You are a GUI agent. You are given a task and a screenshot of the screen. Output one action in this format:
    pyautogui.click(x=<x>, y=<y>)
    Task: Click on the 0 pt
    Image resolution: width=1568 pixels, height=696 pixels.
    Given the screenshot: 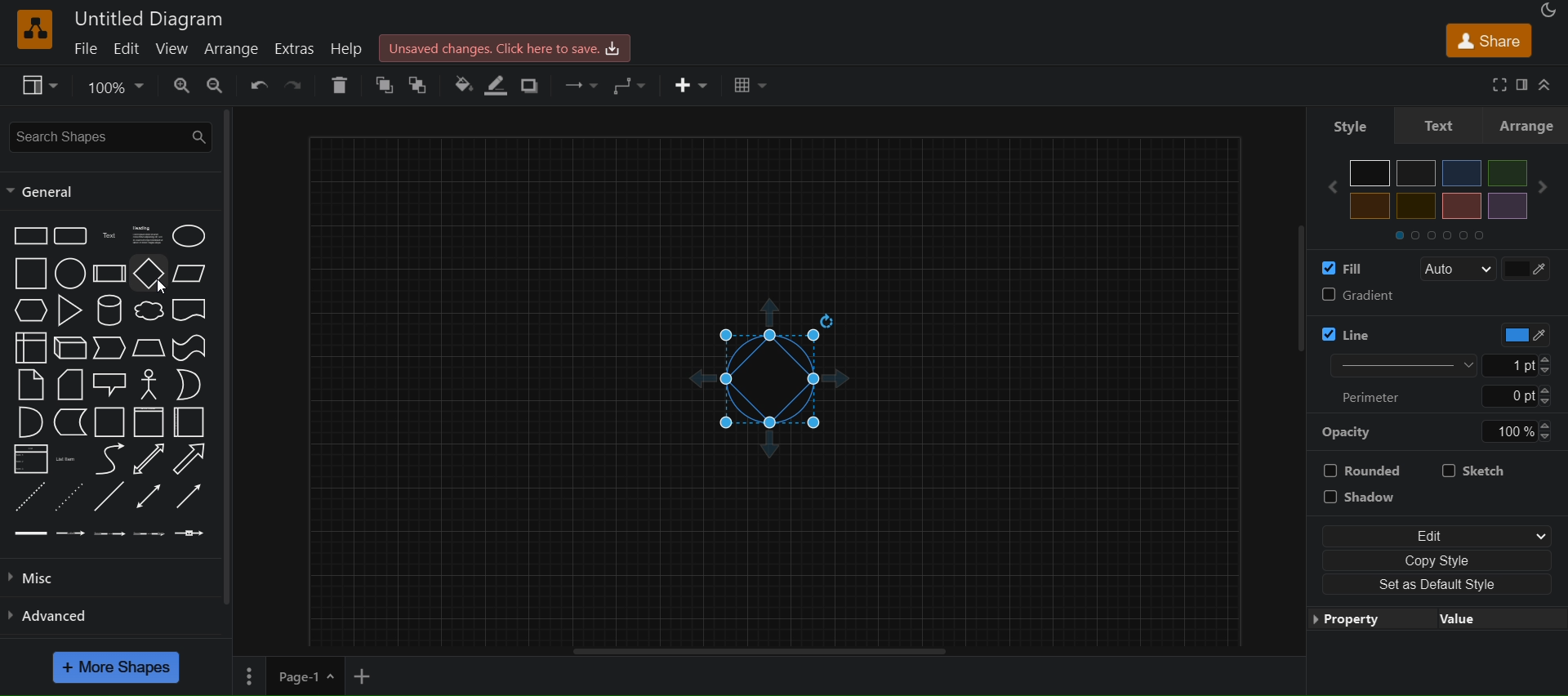 What is the action you would take?
    pyautogui.click(x=1518, y=397)
    